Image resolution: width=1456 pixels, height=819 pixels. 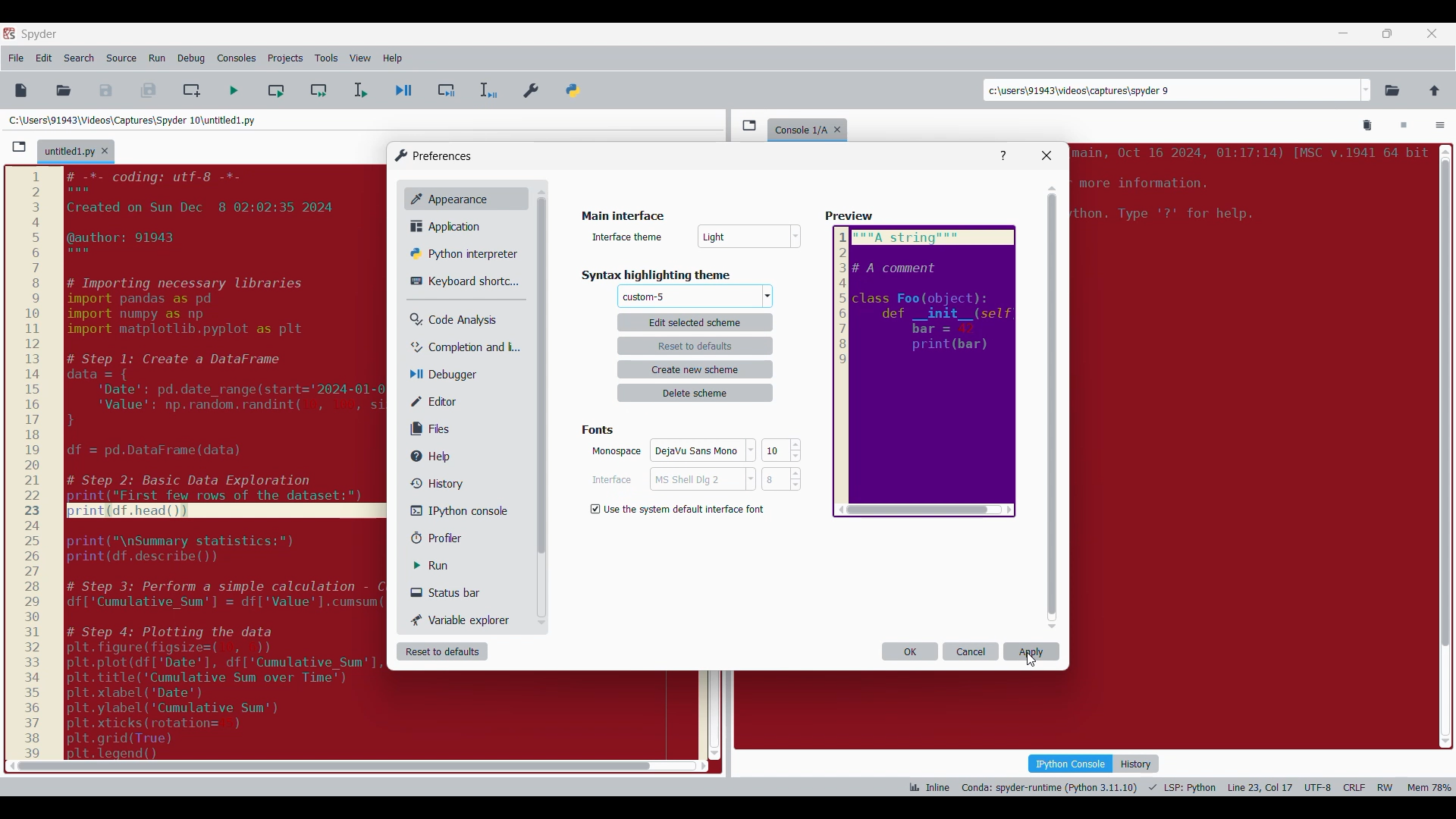 I want to click on Title of current window, so click(x=621, y=217).